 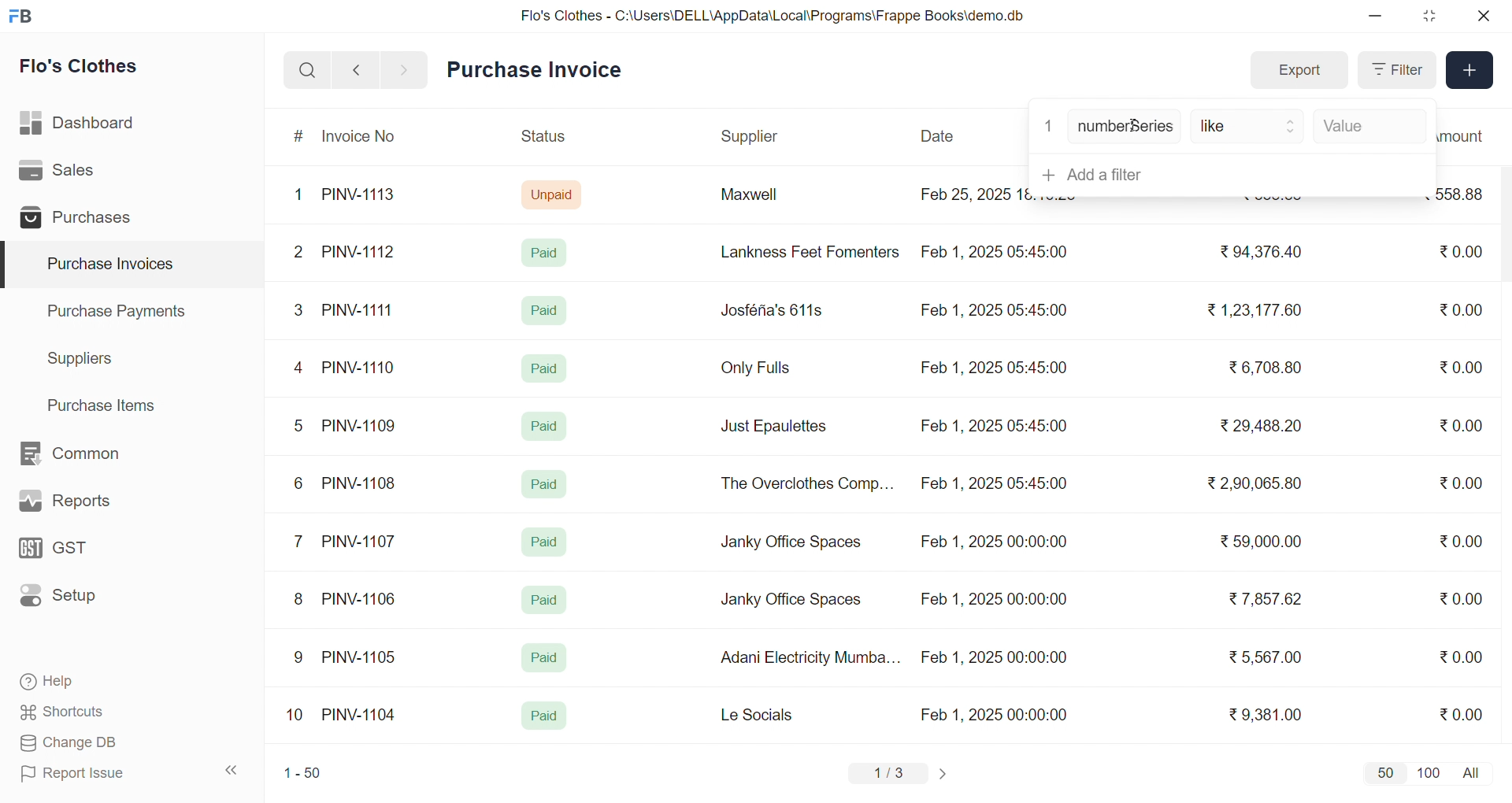 I want to click on + Add a filter, so click(x=1228, y=174).